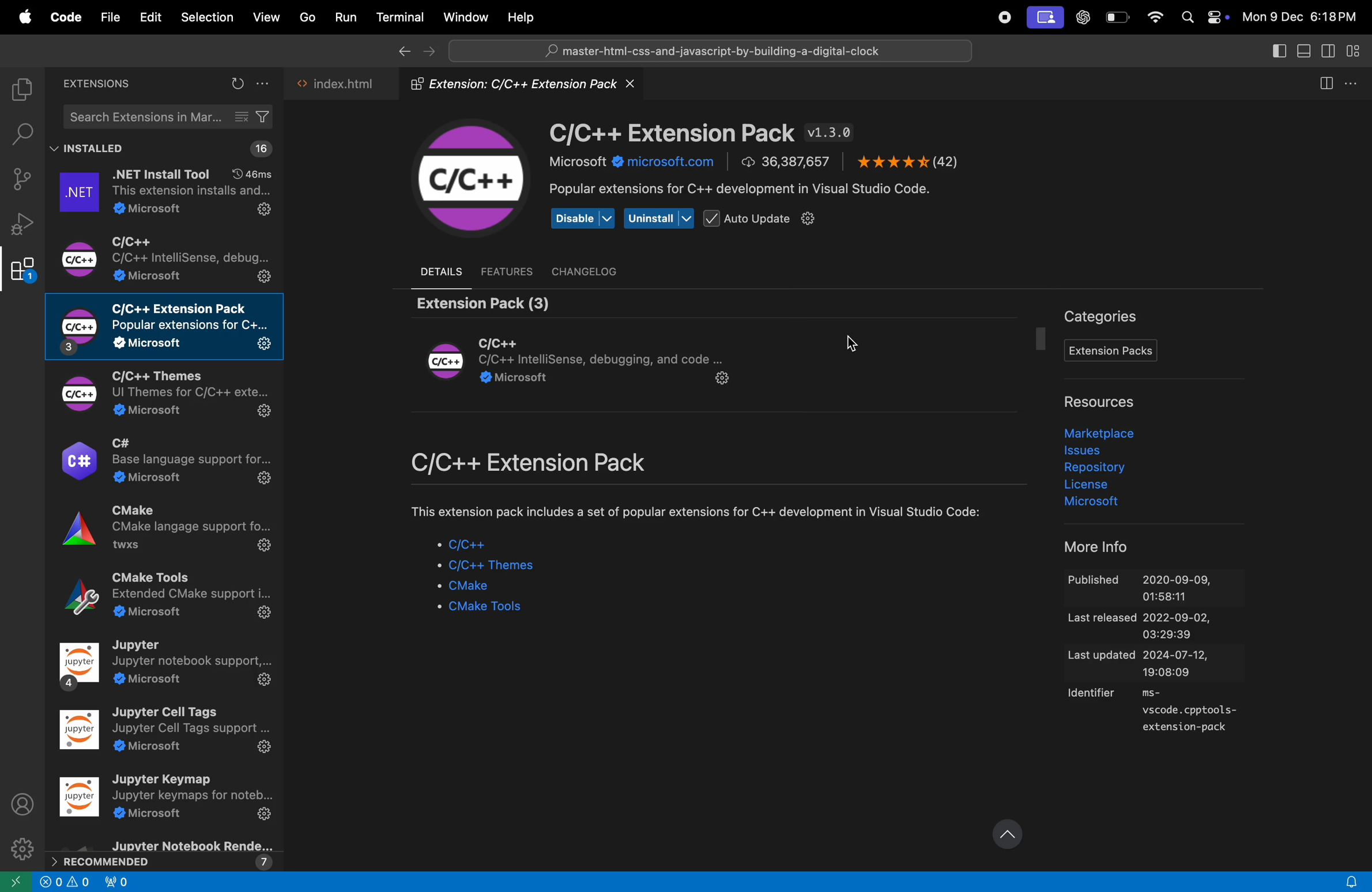 The height and width of the screenshot is (892, 1372). What do you see at coordinates (21, 179) in the screenshot?
I see `source control` at bounding box center [21, 179].